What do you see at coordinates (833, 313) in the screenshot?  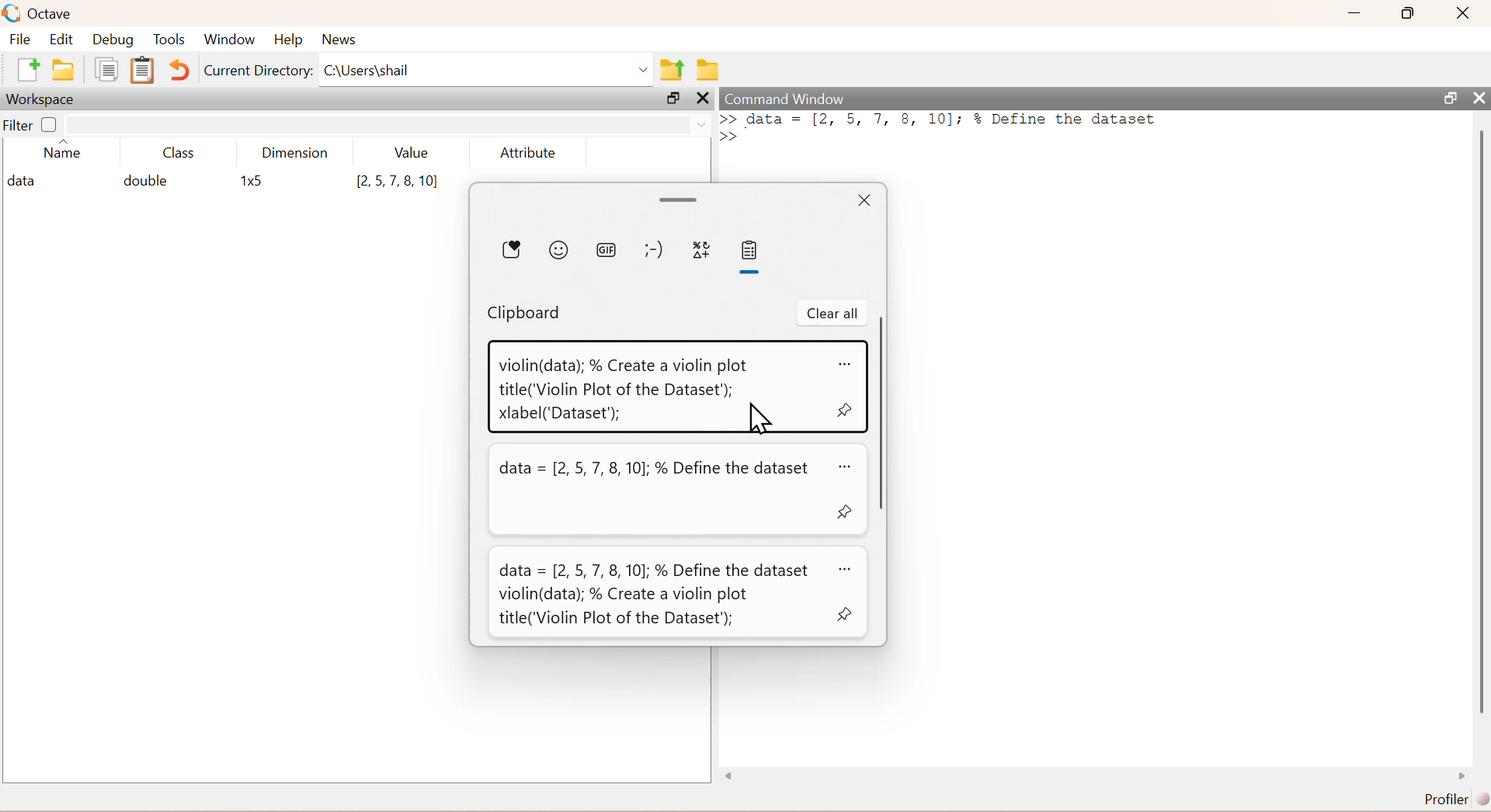 I see `Clear all` at bounding box center [833, 313].